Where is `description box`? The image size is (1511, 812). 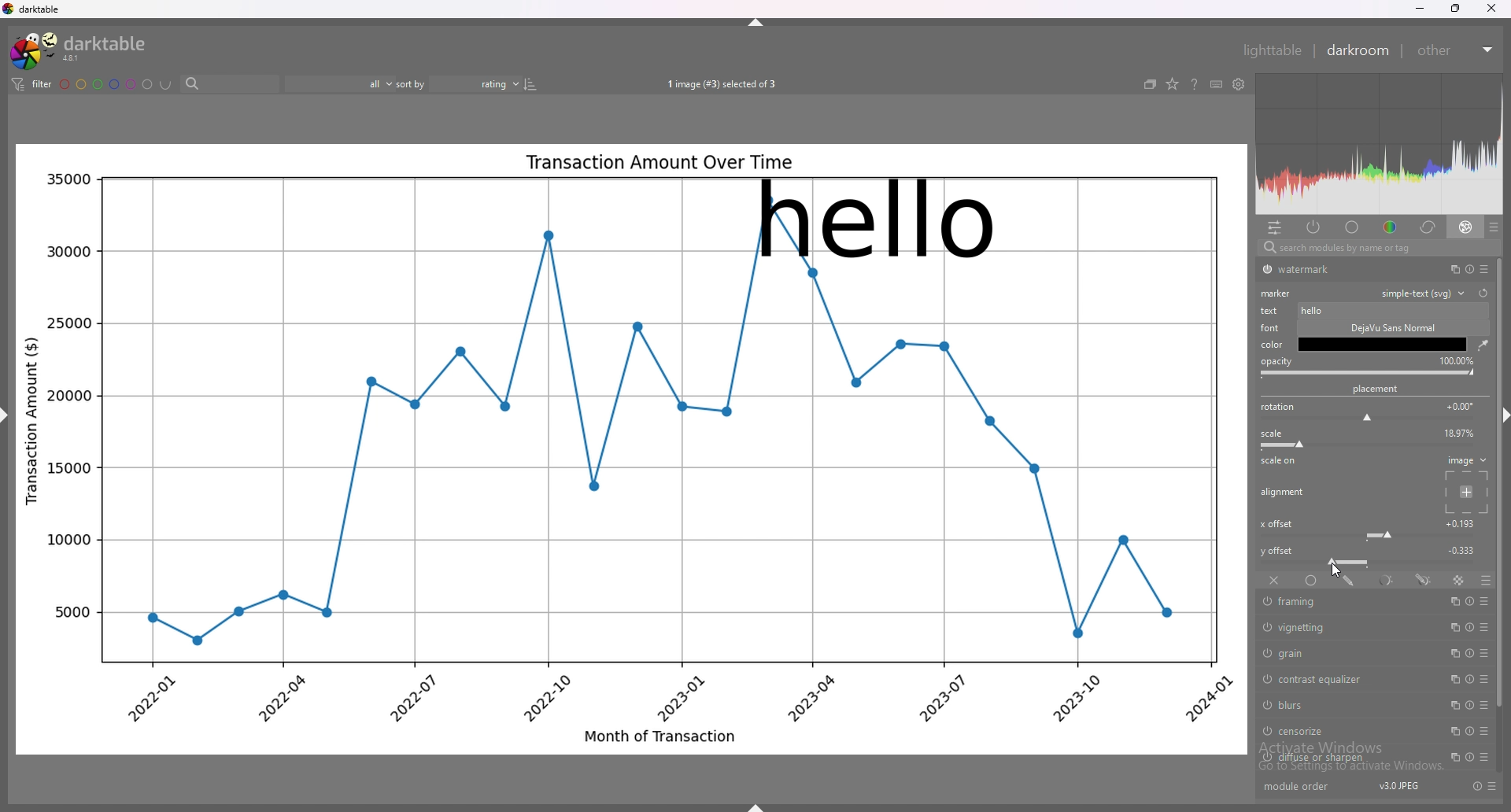 description box is located at coordinates (1384, 336).